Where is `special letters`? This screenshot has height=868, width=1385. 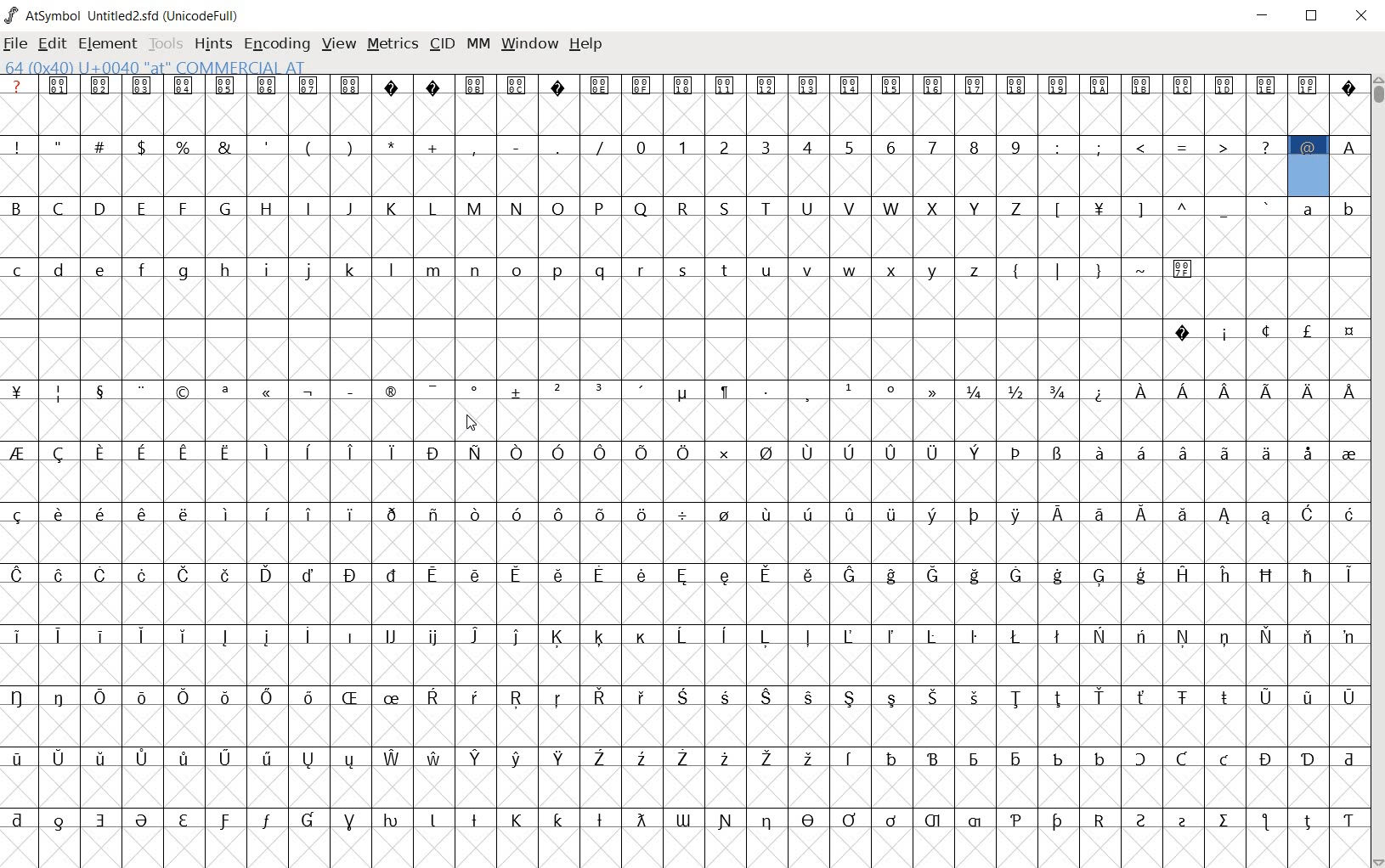
special letters is located at coordinates (684, 757).